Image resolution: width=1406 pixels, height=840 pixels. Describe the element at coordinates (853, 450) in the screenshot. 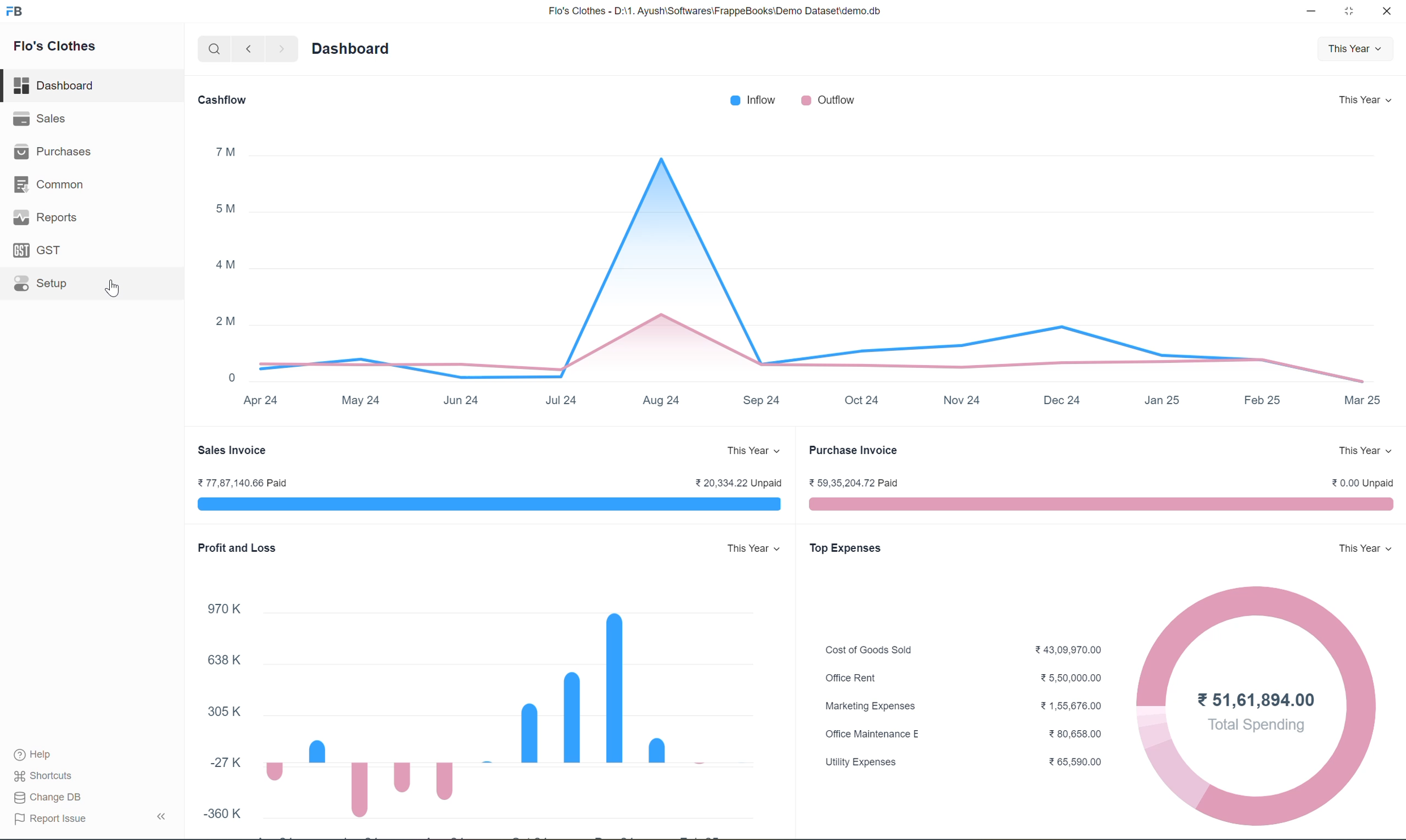

I see `Purchase Invoice` at that location.